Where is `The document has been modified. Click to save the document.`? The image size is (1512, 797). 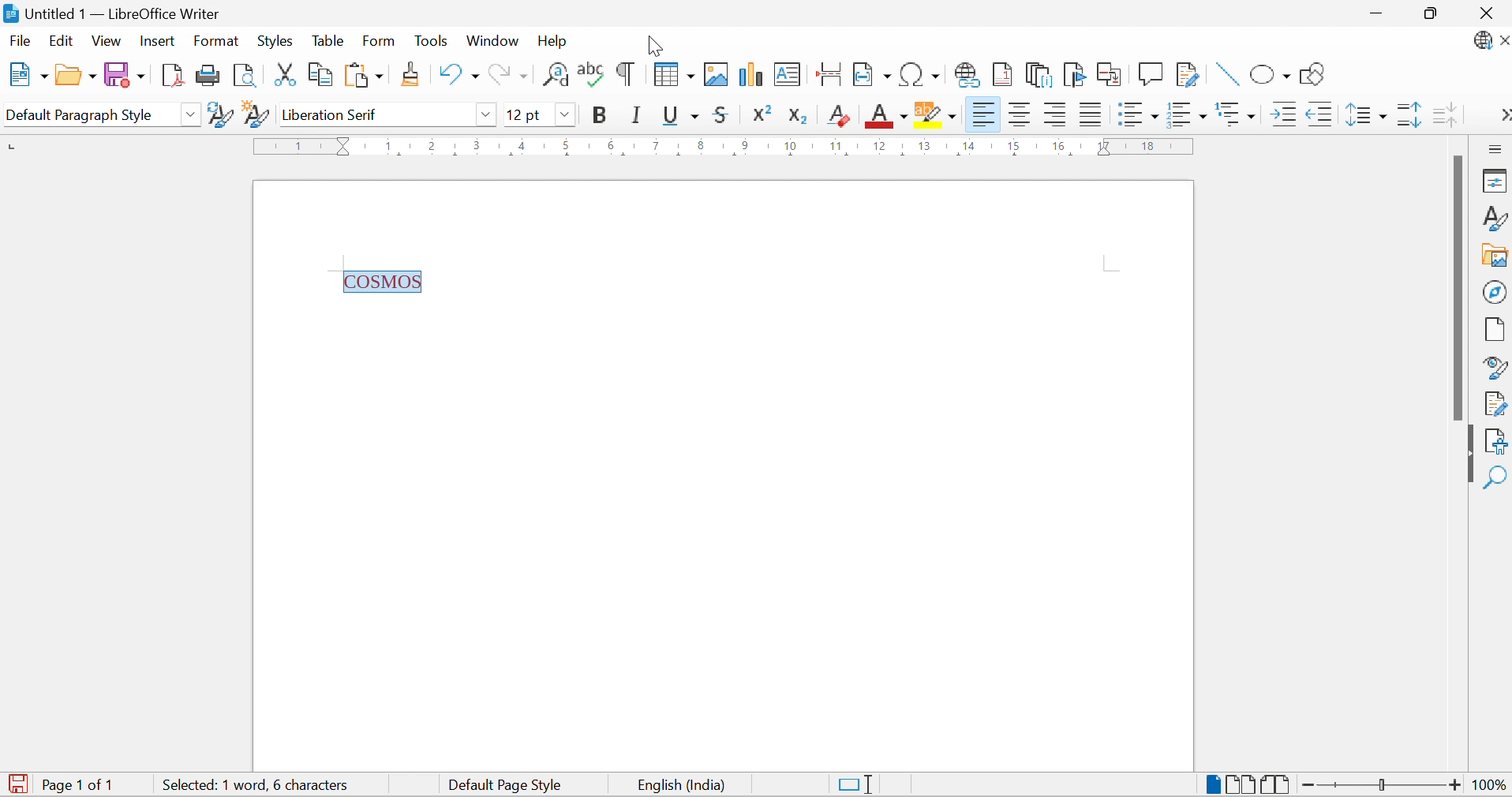
The document has been modified. Click to save the document. is located at coordinates (17, 784).